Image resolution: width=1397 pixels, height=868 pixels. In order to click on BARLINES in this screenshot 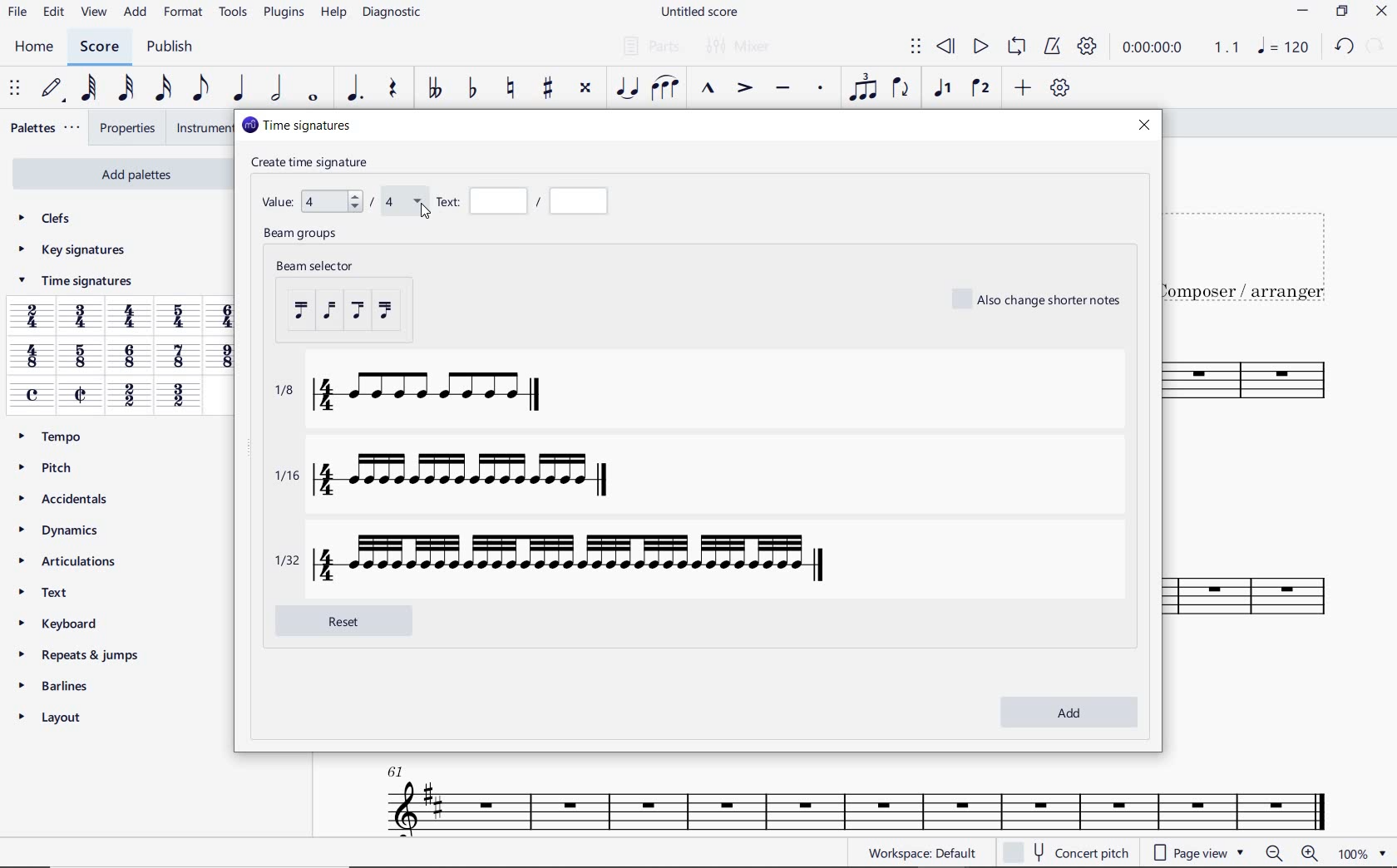, I will do `click(57, 685)`.